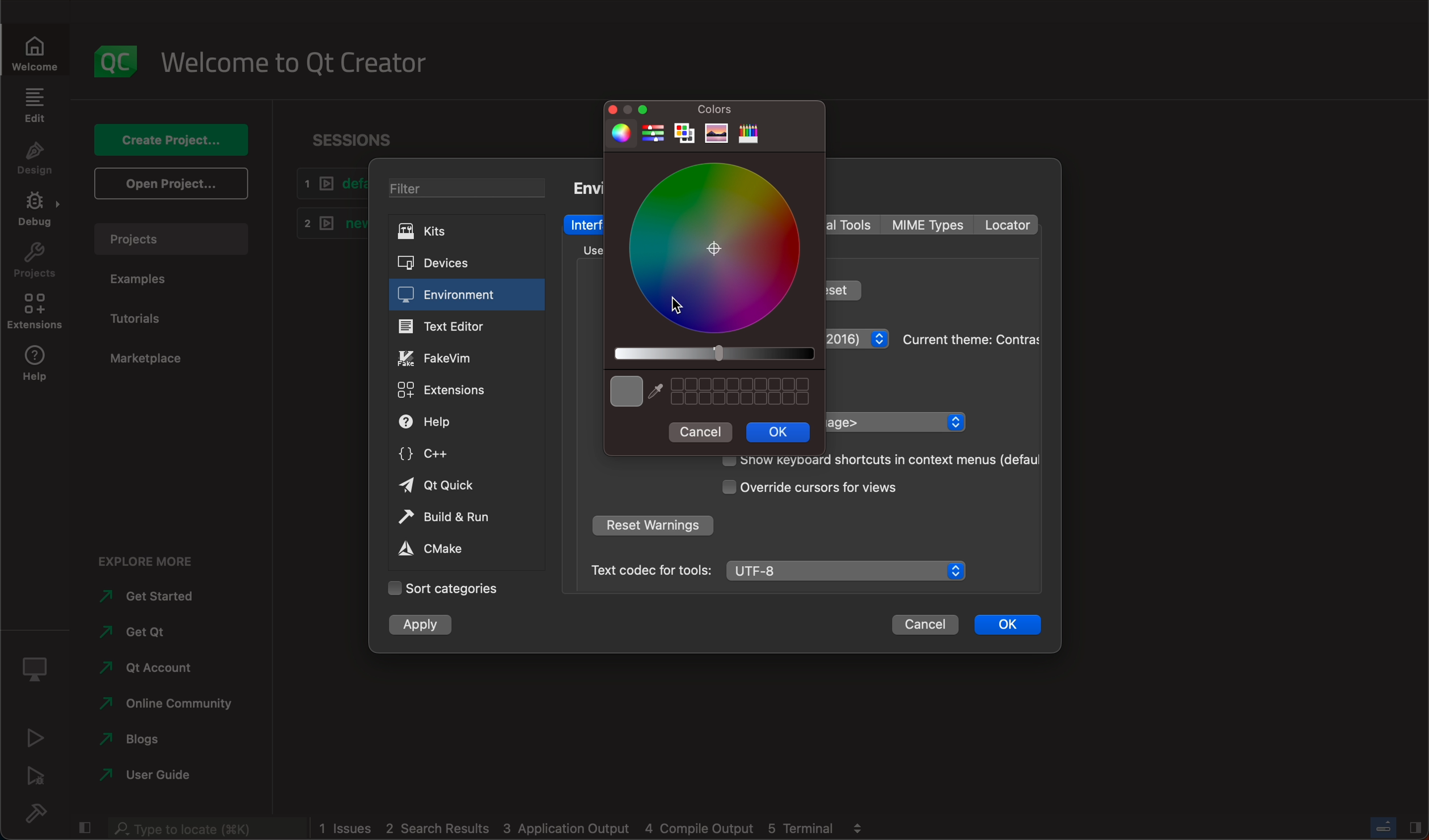 The height and width of the screenshot is (840, 1429). I want to click on cancel, so click(701, 431).